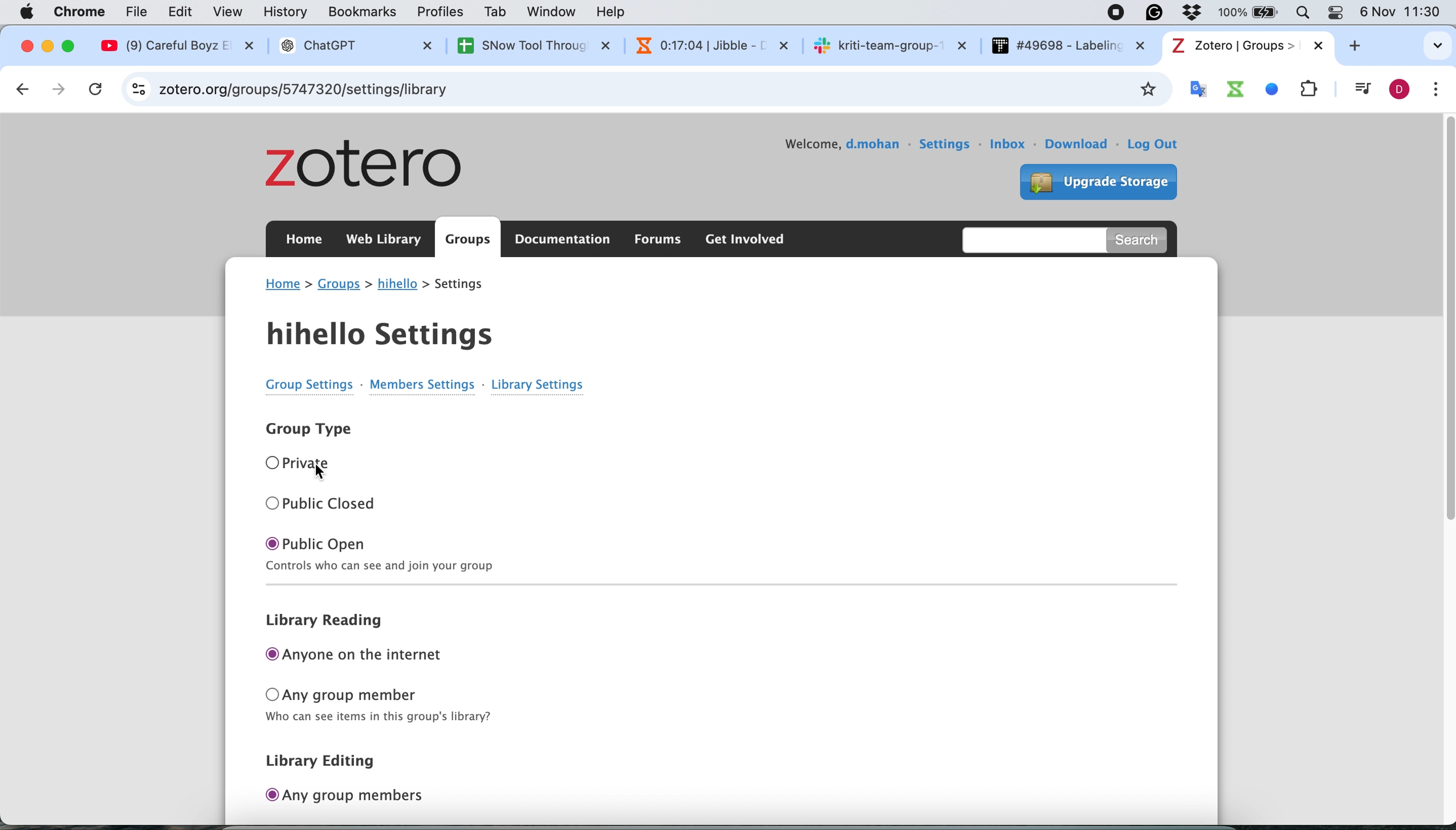 Image resolution: width=1456 pixels, height=830 pixels. What do you see at coordinates (616, 11) in the screenshot?
I see `help` at bounding box center [616, 11].